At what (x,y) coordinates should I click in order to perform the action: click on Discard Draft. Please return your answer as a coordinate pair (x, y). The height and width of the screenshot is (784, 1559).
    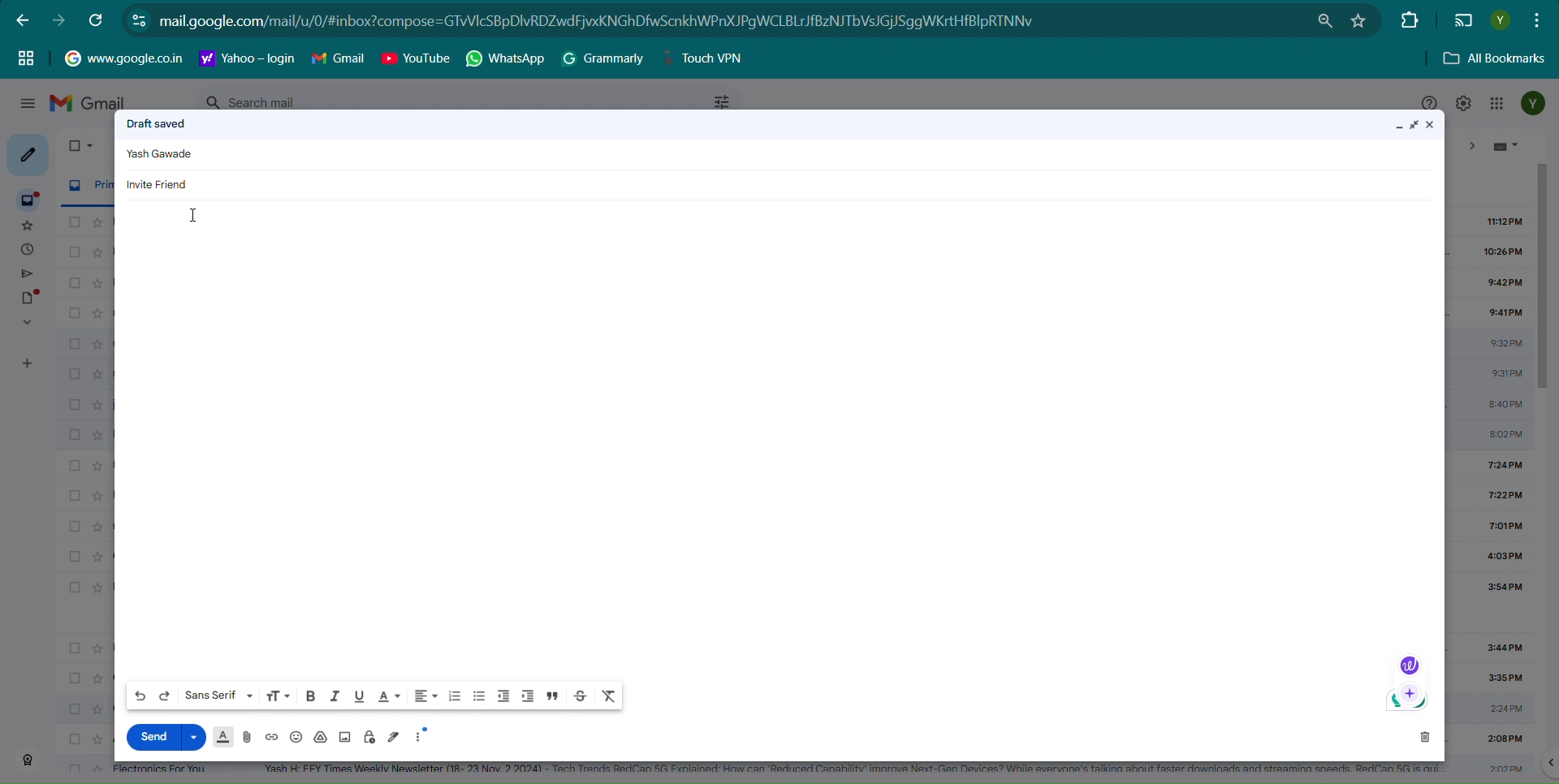
    Looking at the image, I should click on (1424, 736).